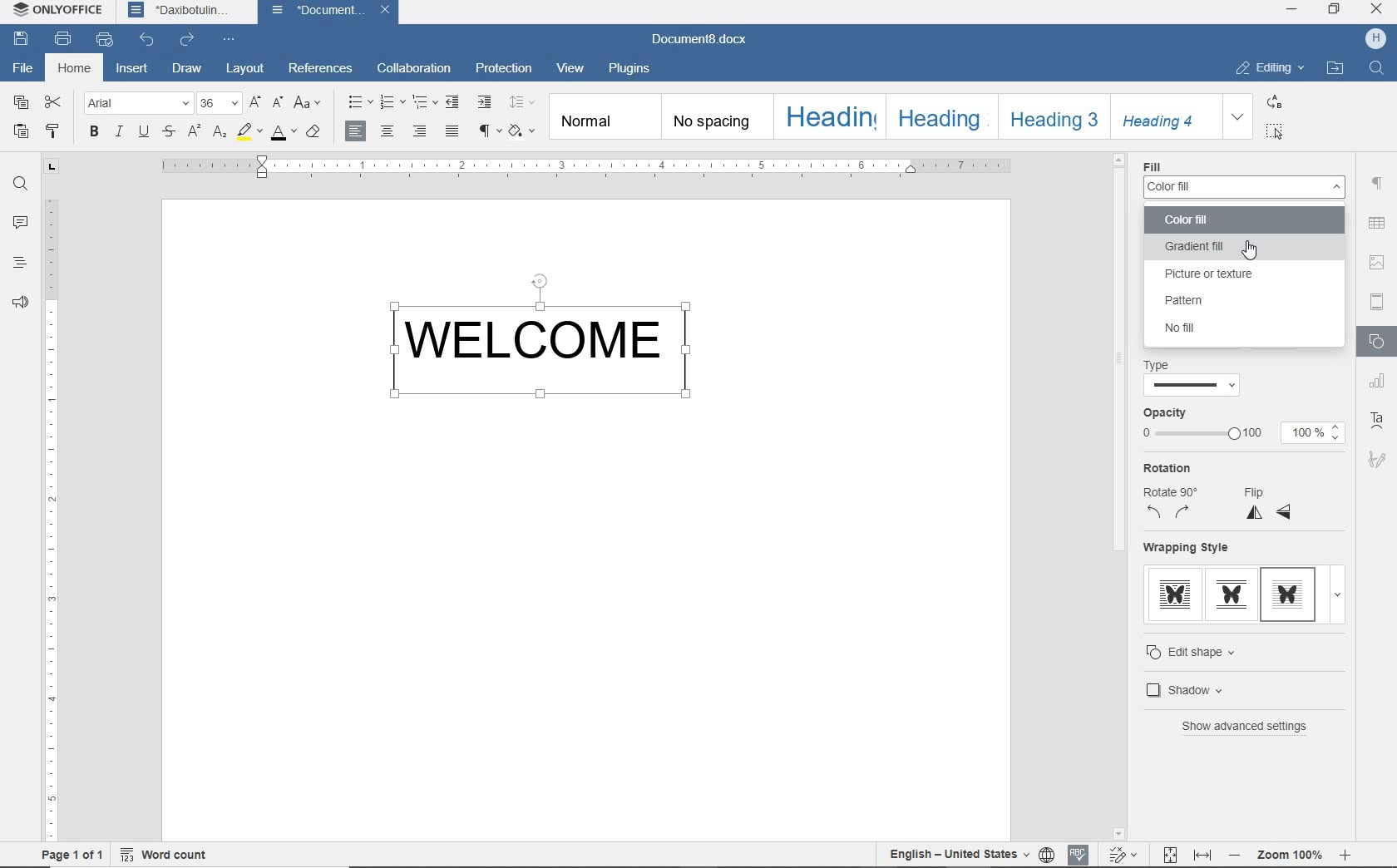 The height and width of the screenshot is (868, 1397). I want to click on PARAGRAPH LINE SPACING, so click(521, 101).